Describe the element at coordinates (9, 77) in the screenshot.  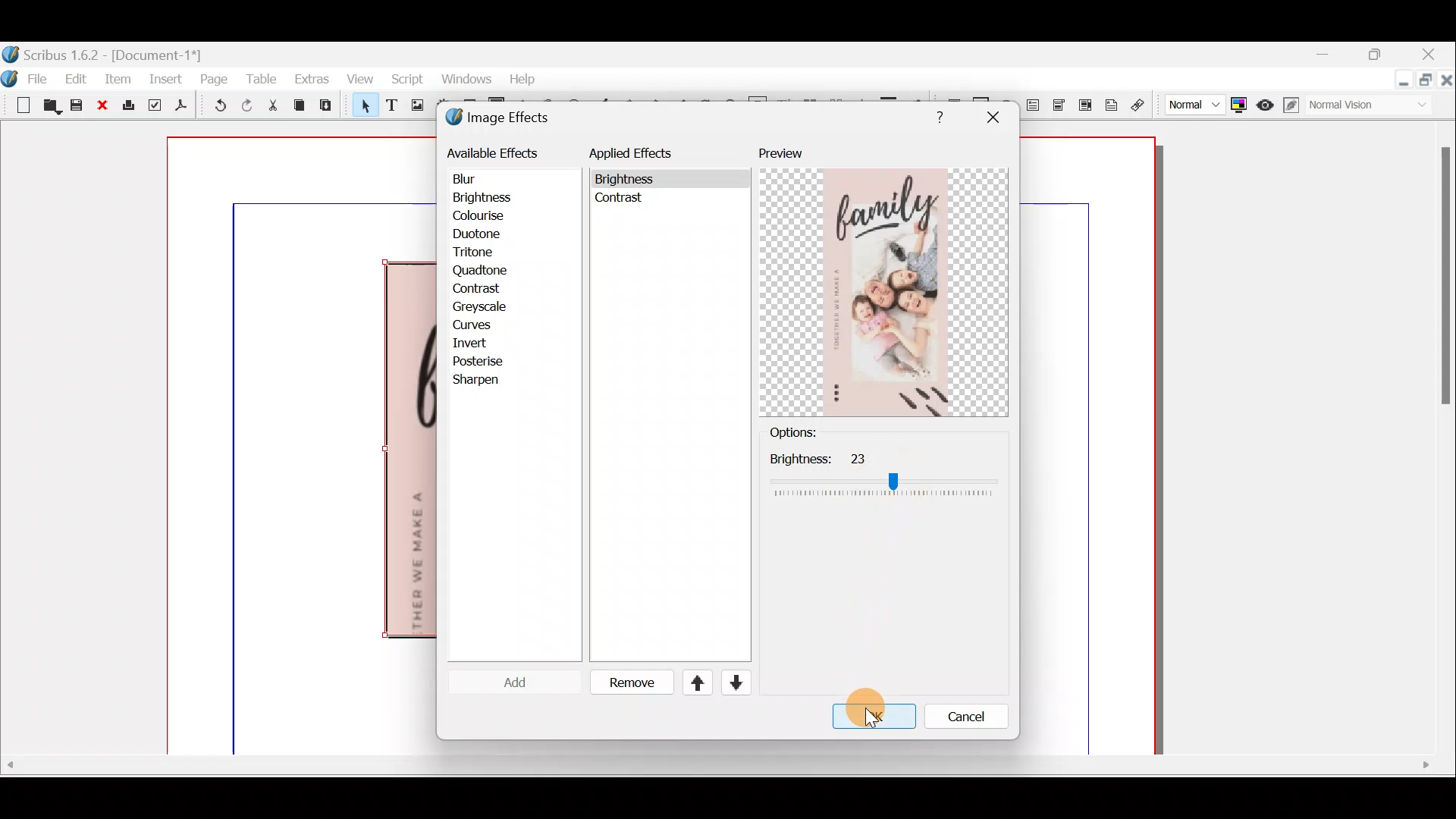
I see `Logo` at that location.